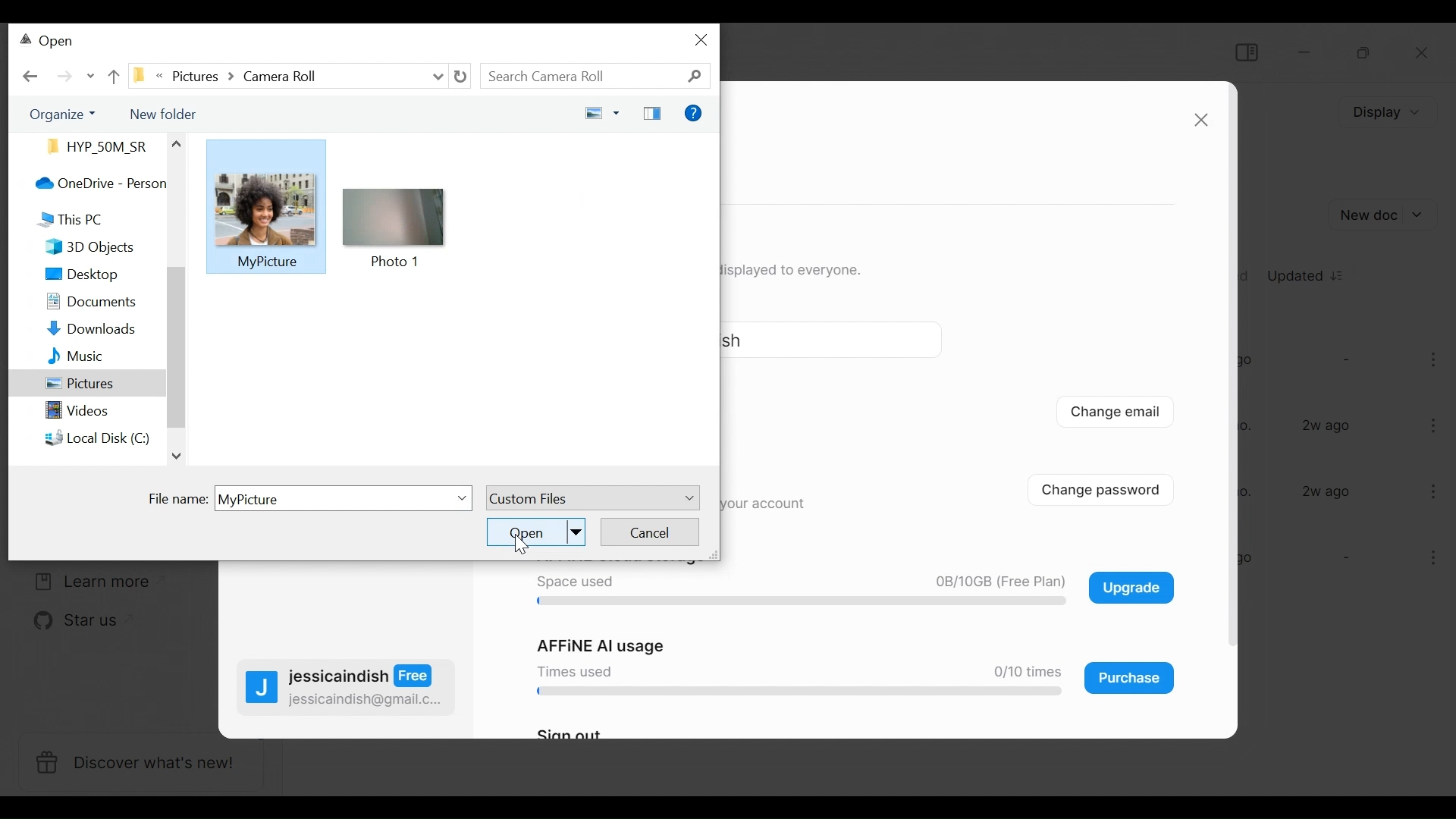  What do you see at coordinates (86, 384) in the screenshot?
I see `Pictures` at bounding box center [86, 384].